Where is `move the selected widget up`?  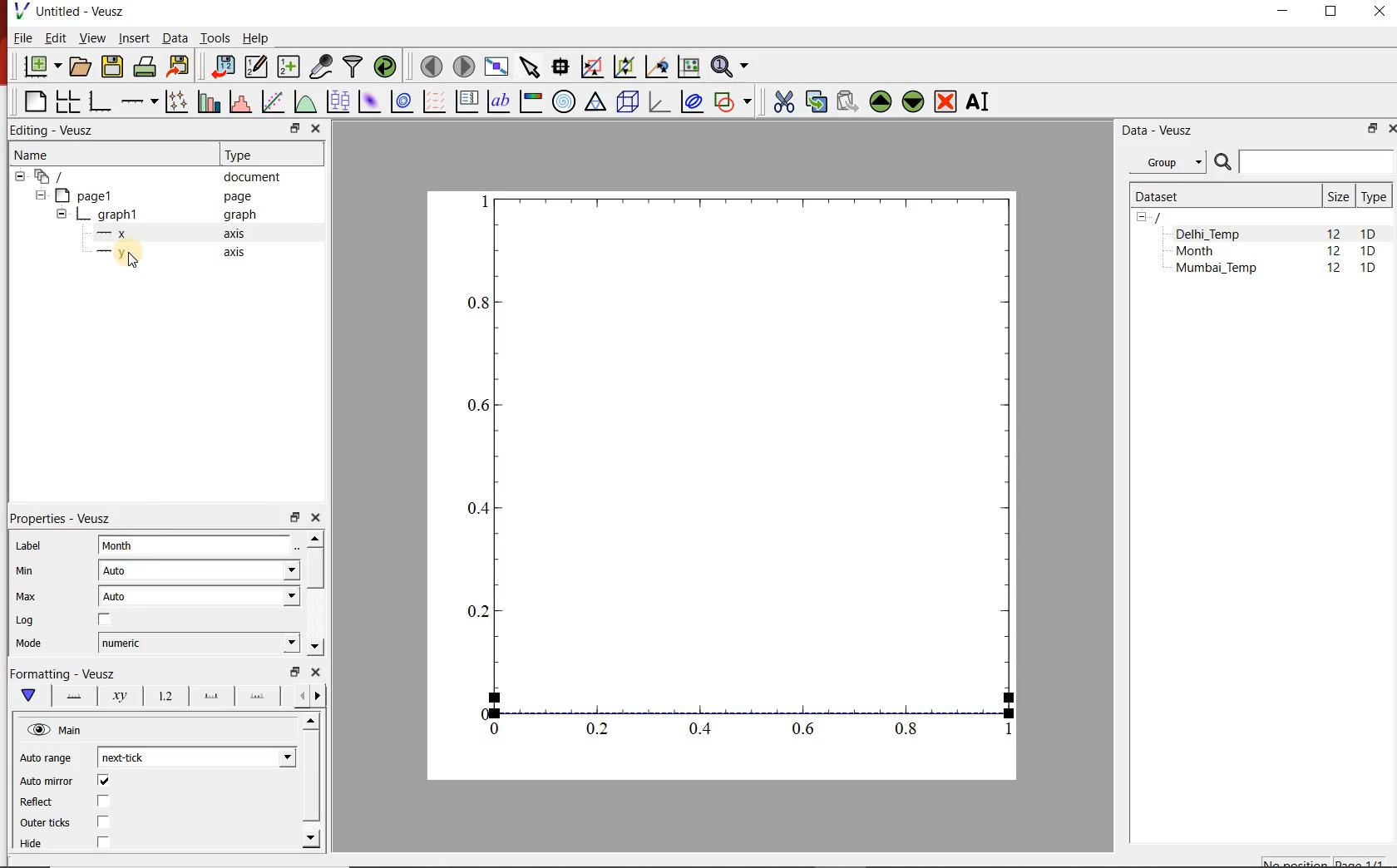
move the selected widget up is located at coordinates (880, 101).